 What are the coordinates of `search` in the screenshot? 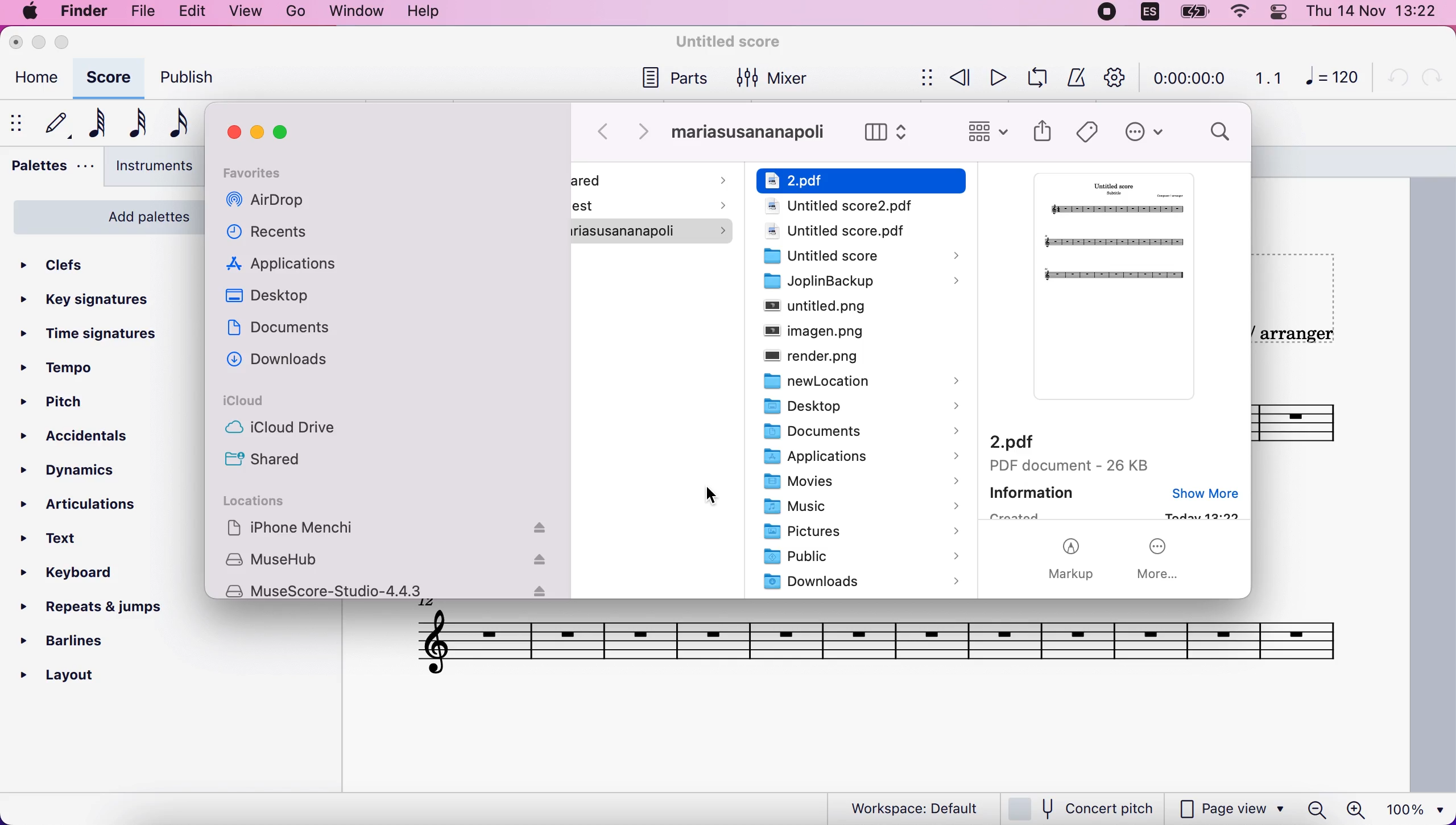 It's located at (1221, 134).